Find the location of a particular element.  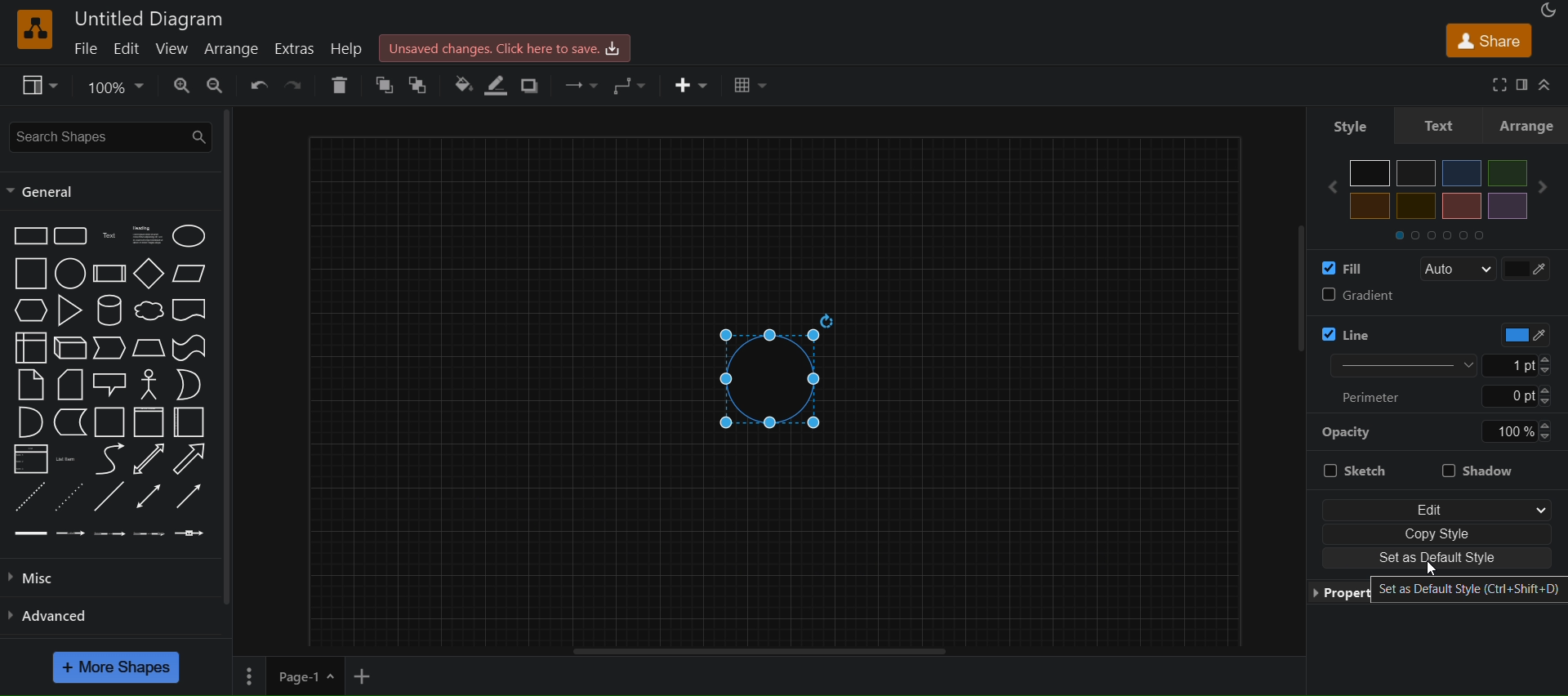

card is located at coordinates (70, 386).